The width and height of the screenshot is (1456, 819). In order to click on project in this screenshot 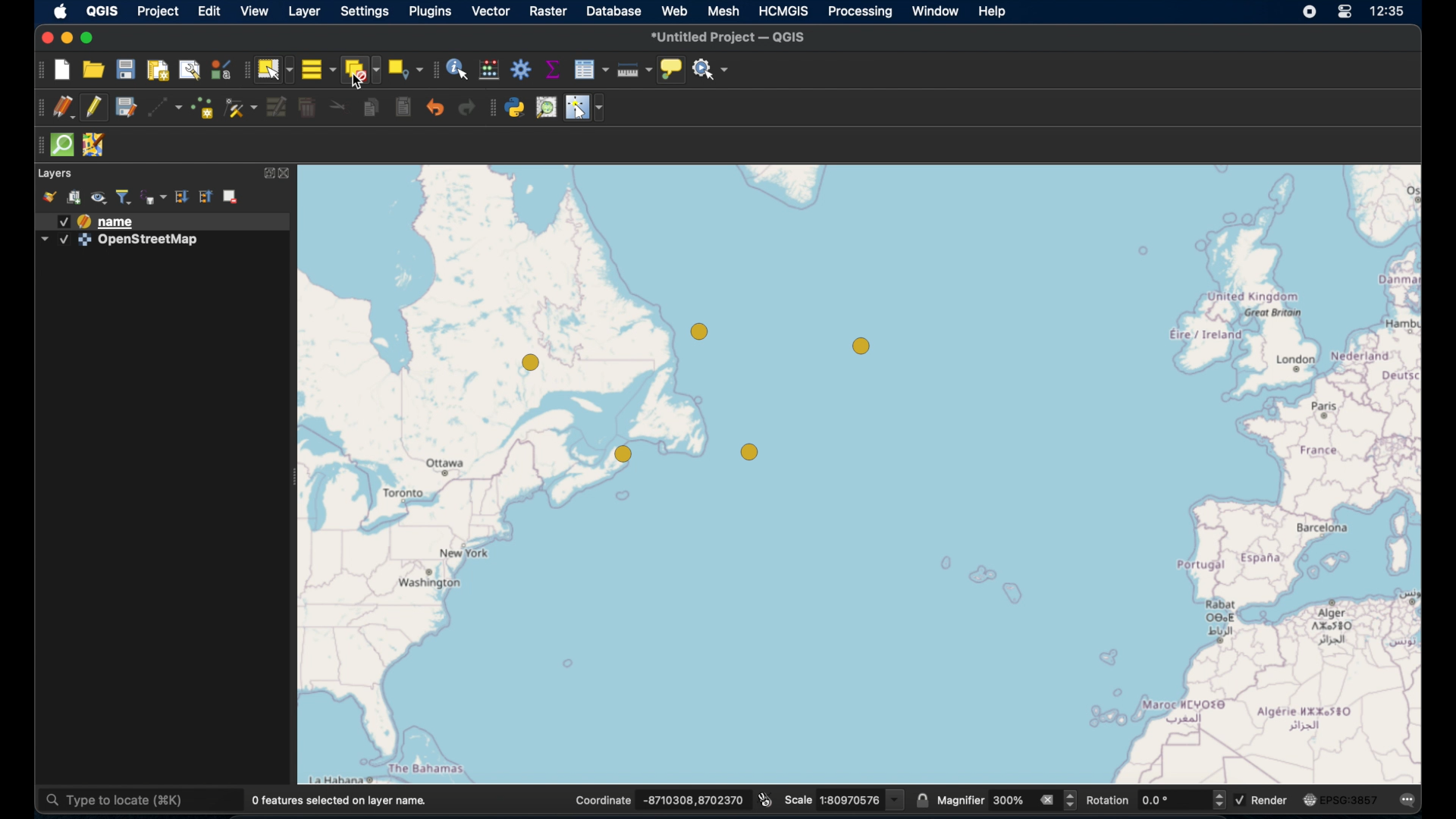, I will do `click(158, 14)`.